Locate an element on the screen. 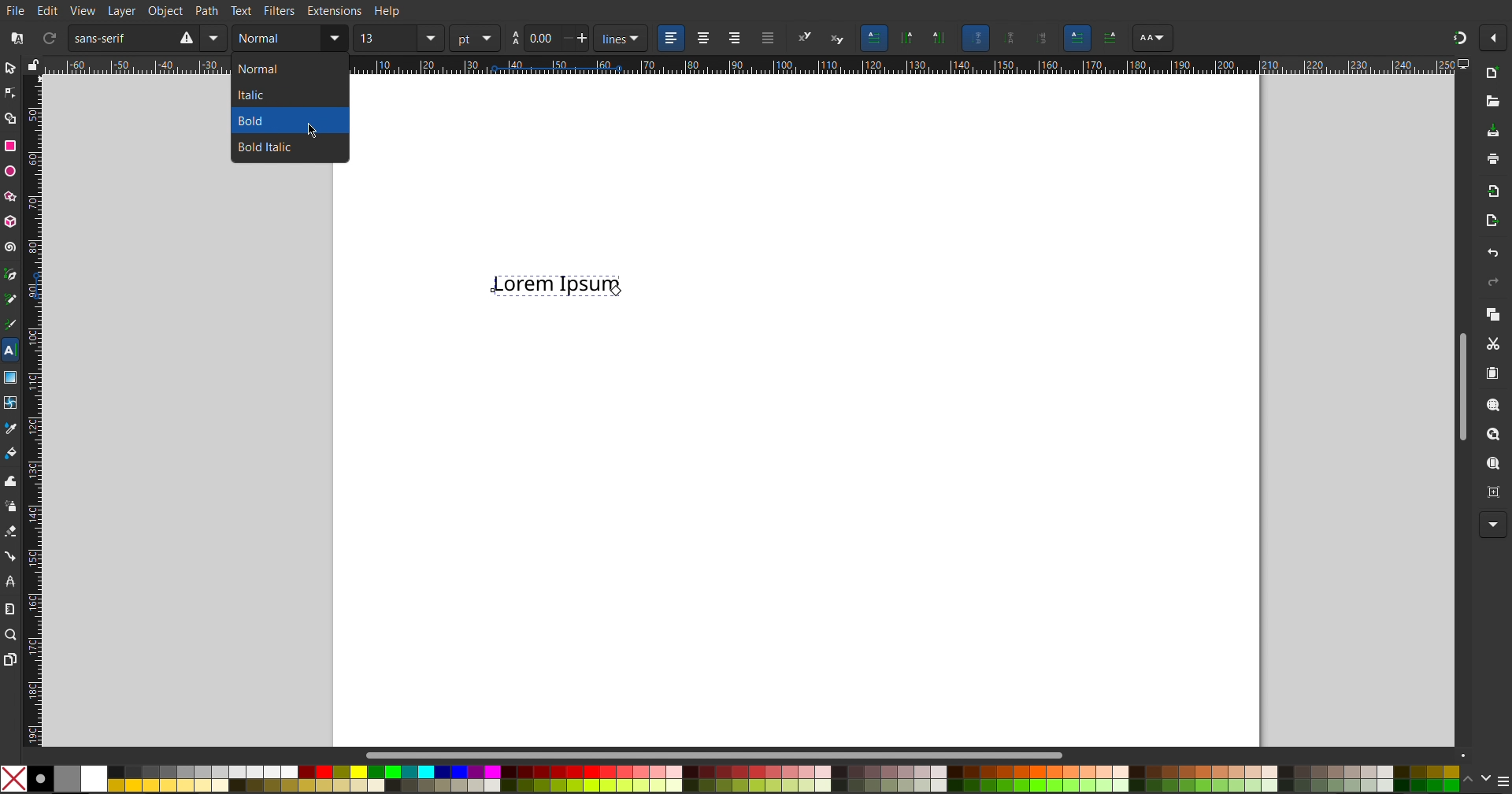 Image resolution: width=1512 pixels, height=794 pixels. Vertical text, left to right is located at coordinates (937, 39).